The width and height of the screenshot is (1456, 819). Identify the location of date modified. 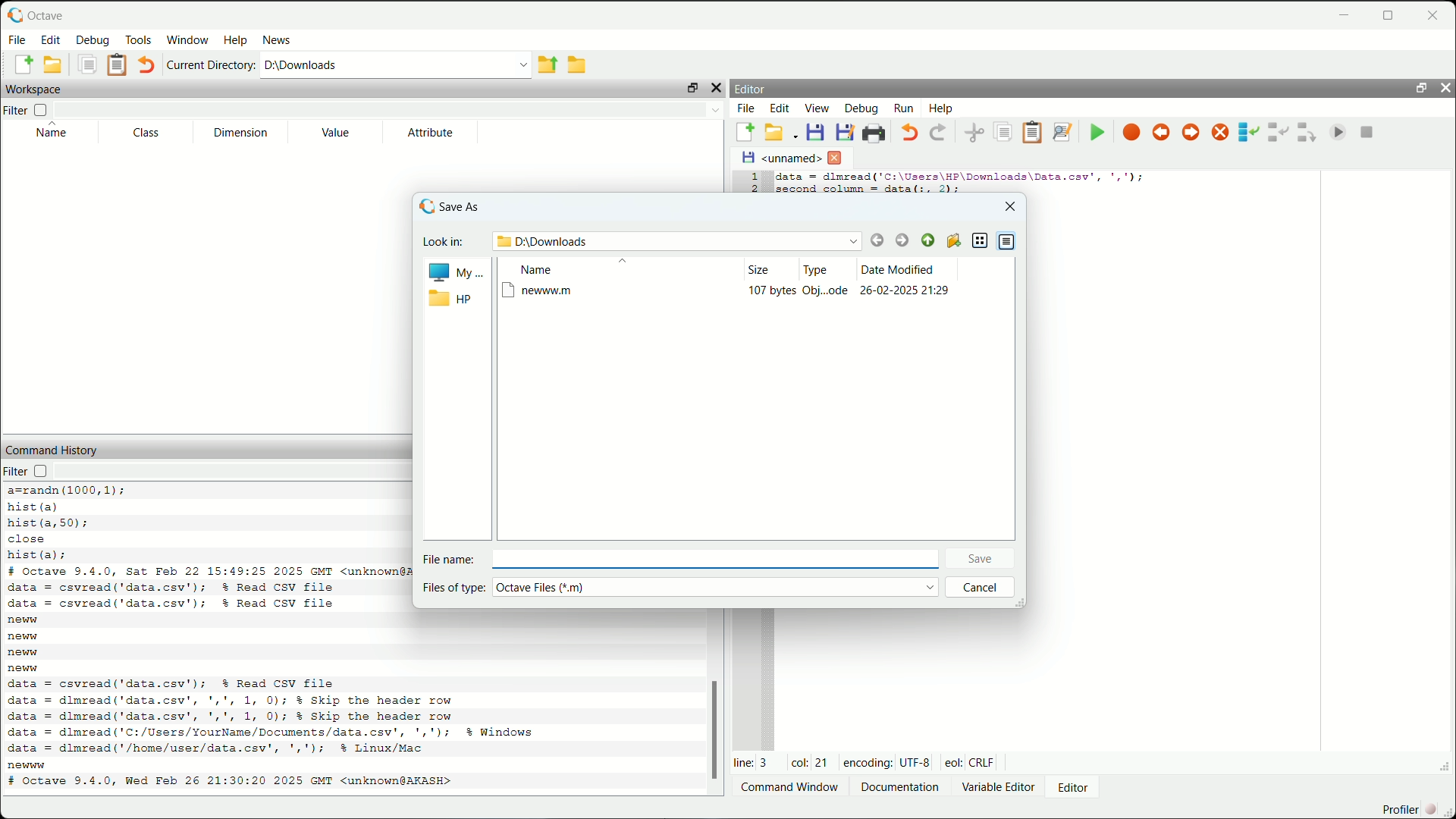
(907, 268).